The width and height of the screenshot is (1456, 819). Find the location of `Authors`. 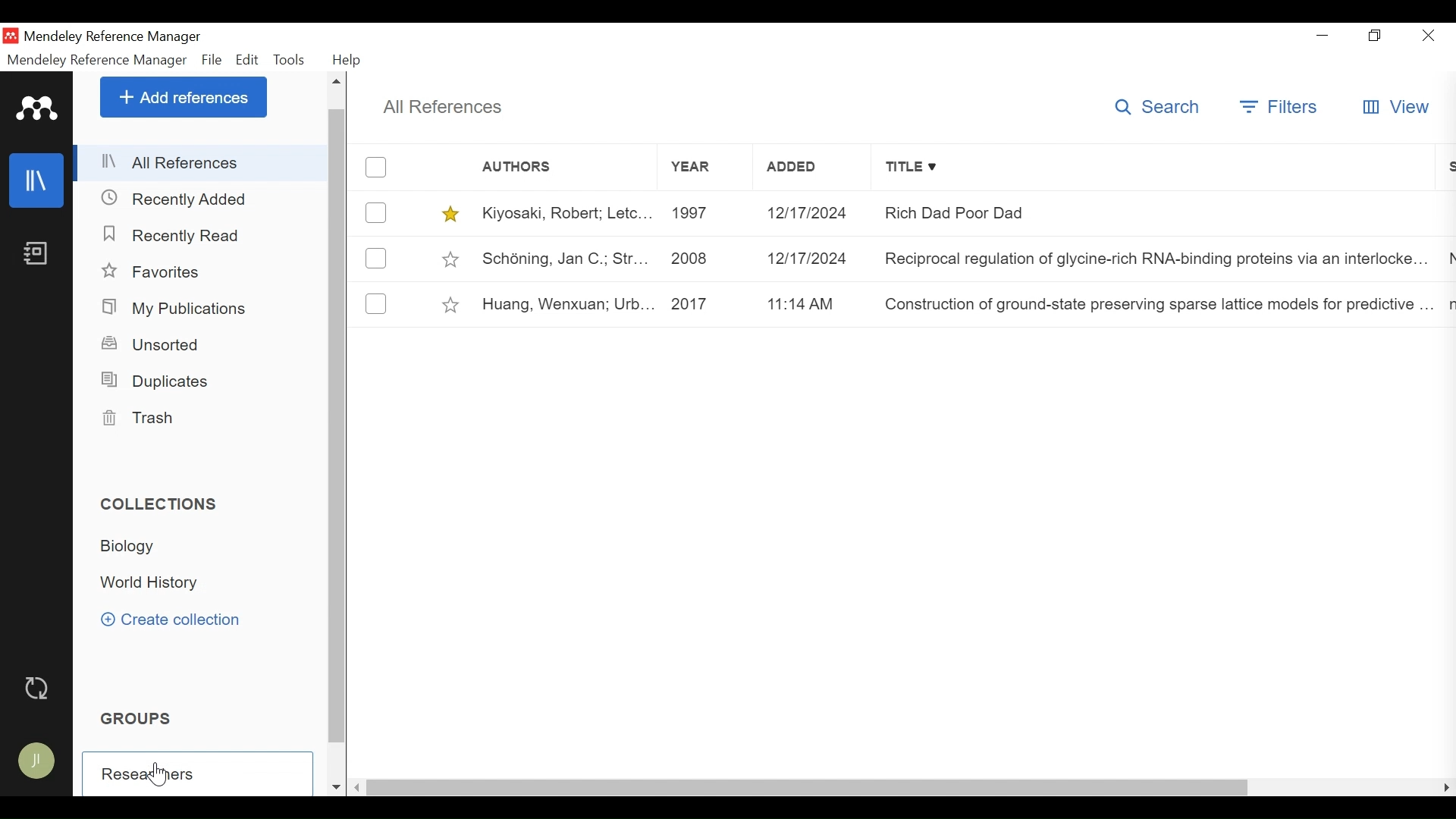

Authors is located at coordinates (547, 168).